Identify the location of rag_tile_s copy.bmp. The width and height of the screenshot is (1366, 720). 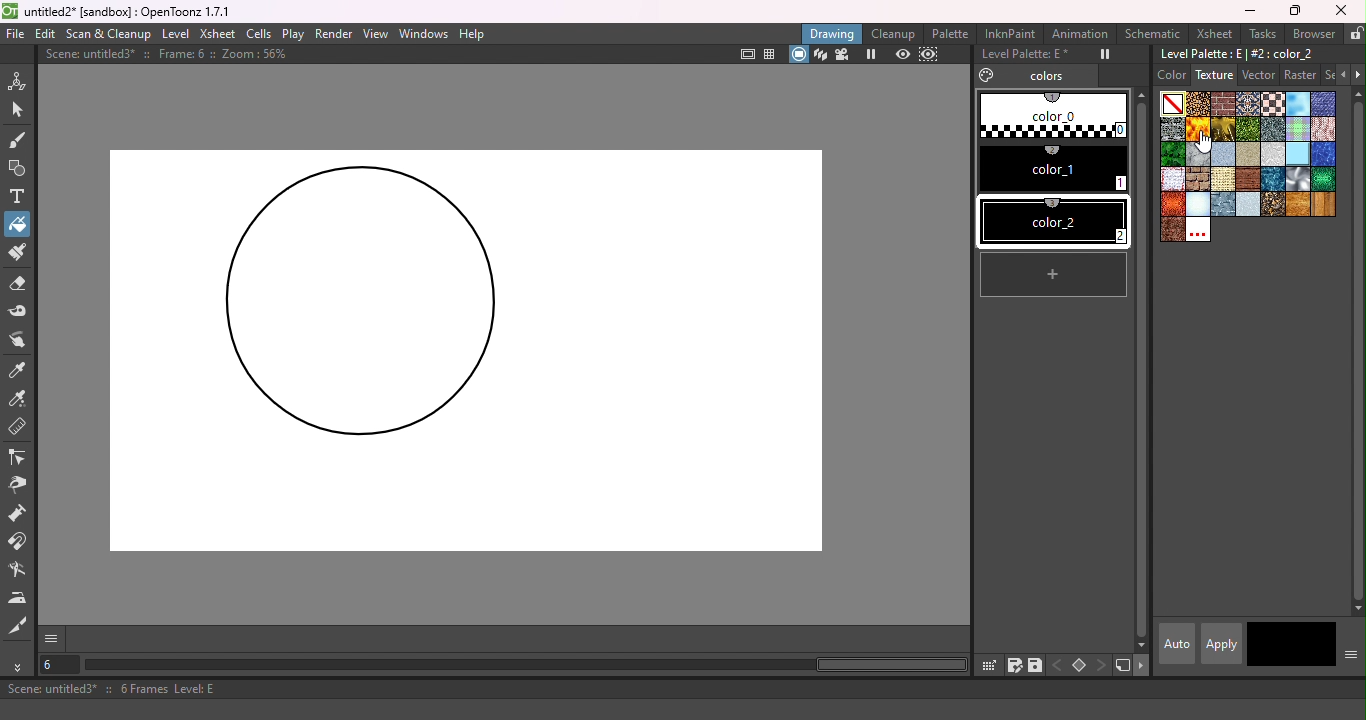
(1172, 180).